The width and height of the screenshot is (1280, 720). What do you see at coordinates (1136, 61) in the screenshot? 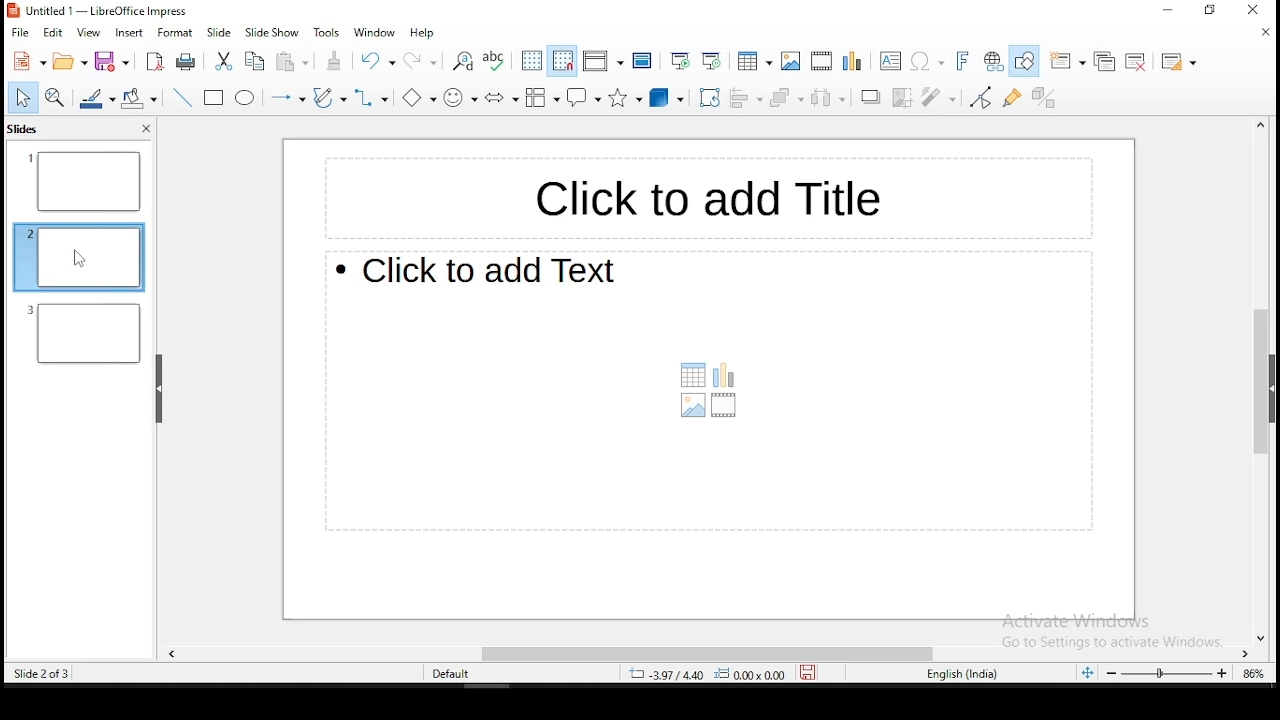
I see ` delete slide` at bounding box center [1136, 61].